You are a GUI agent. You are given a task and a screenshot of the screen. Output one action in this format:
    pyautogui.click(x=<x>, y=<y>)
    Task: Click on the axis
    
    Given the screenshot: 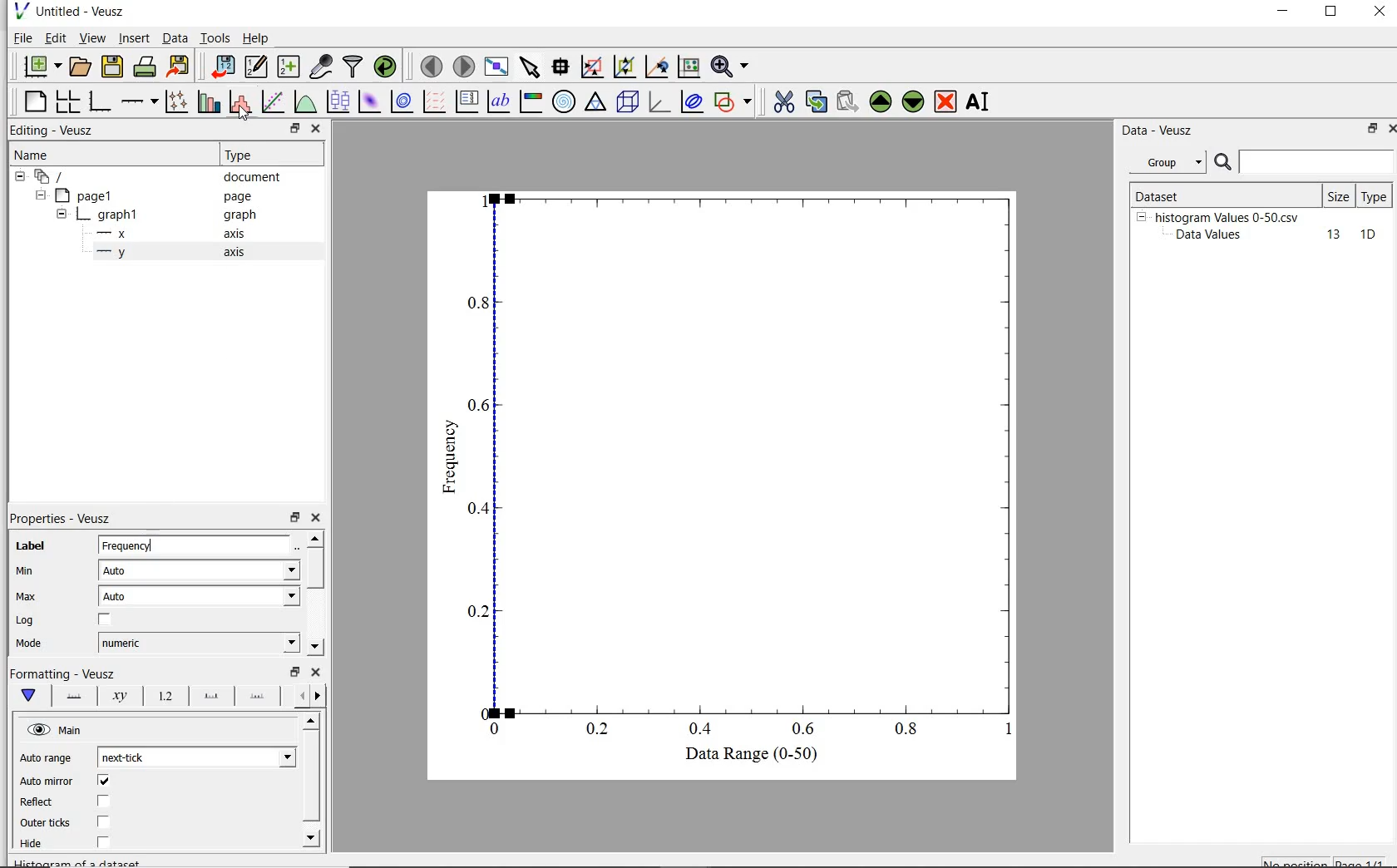 What is the action you would take?
    pyautogui.click(x=239, y=254)
    